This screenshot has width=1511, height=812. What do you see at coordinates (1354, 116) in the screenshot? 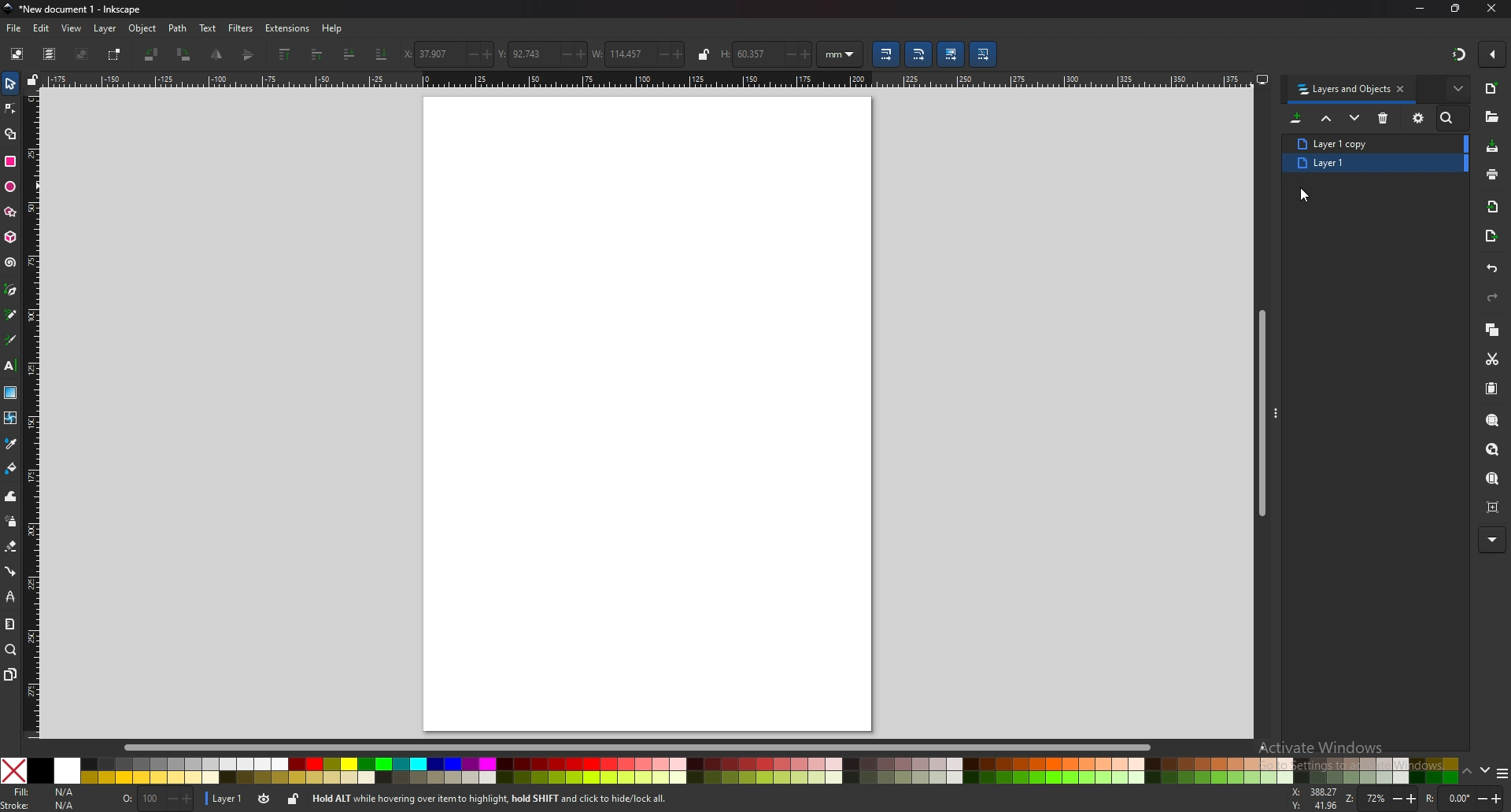
I see `move down` at bounding box center [1354, 116].